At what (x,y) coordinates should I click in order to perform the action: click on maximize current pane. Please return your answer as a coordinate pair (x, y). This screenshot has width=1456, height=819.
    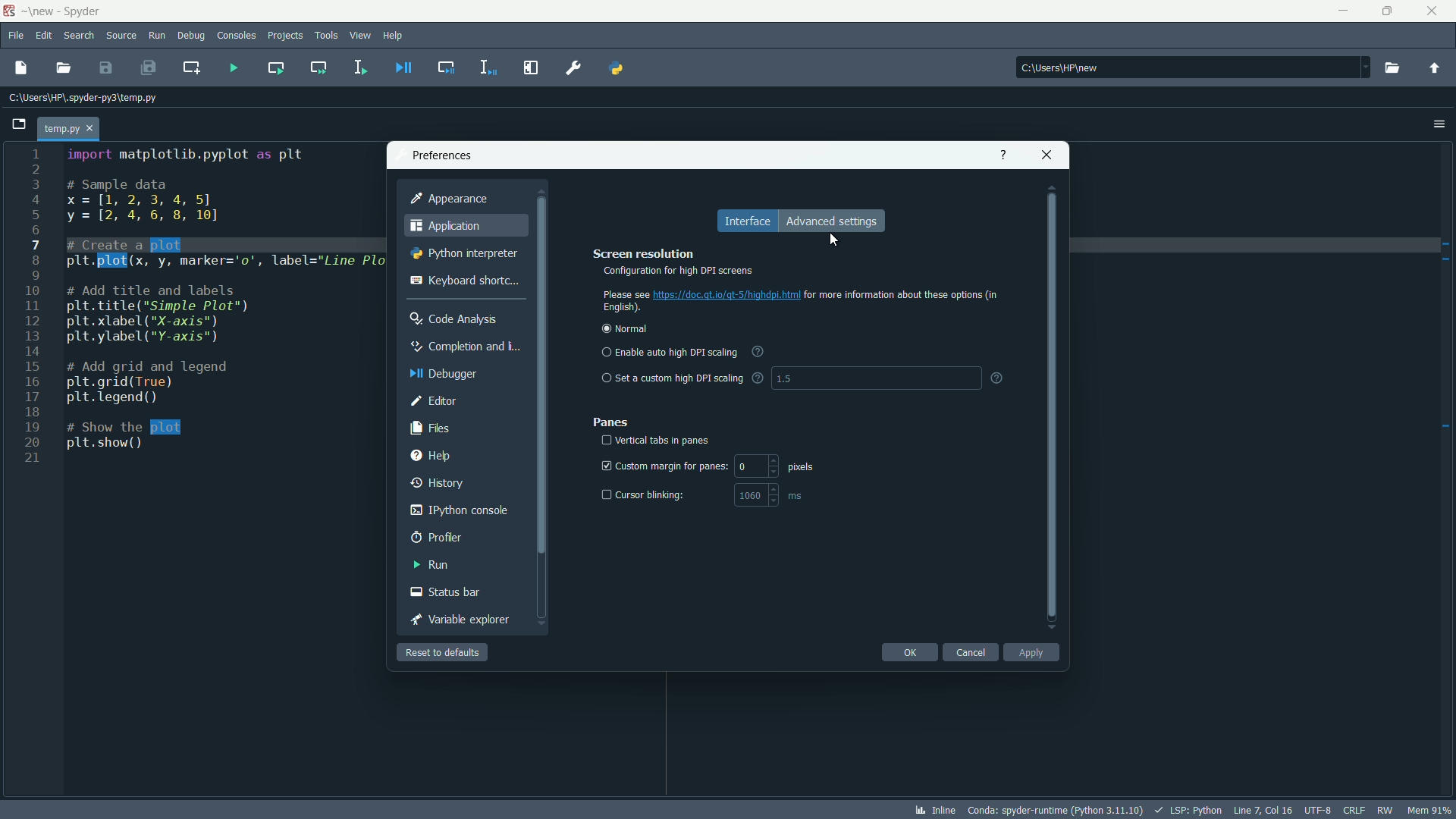
    Looking at the image, I should click on (533, 67).